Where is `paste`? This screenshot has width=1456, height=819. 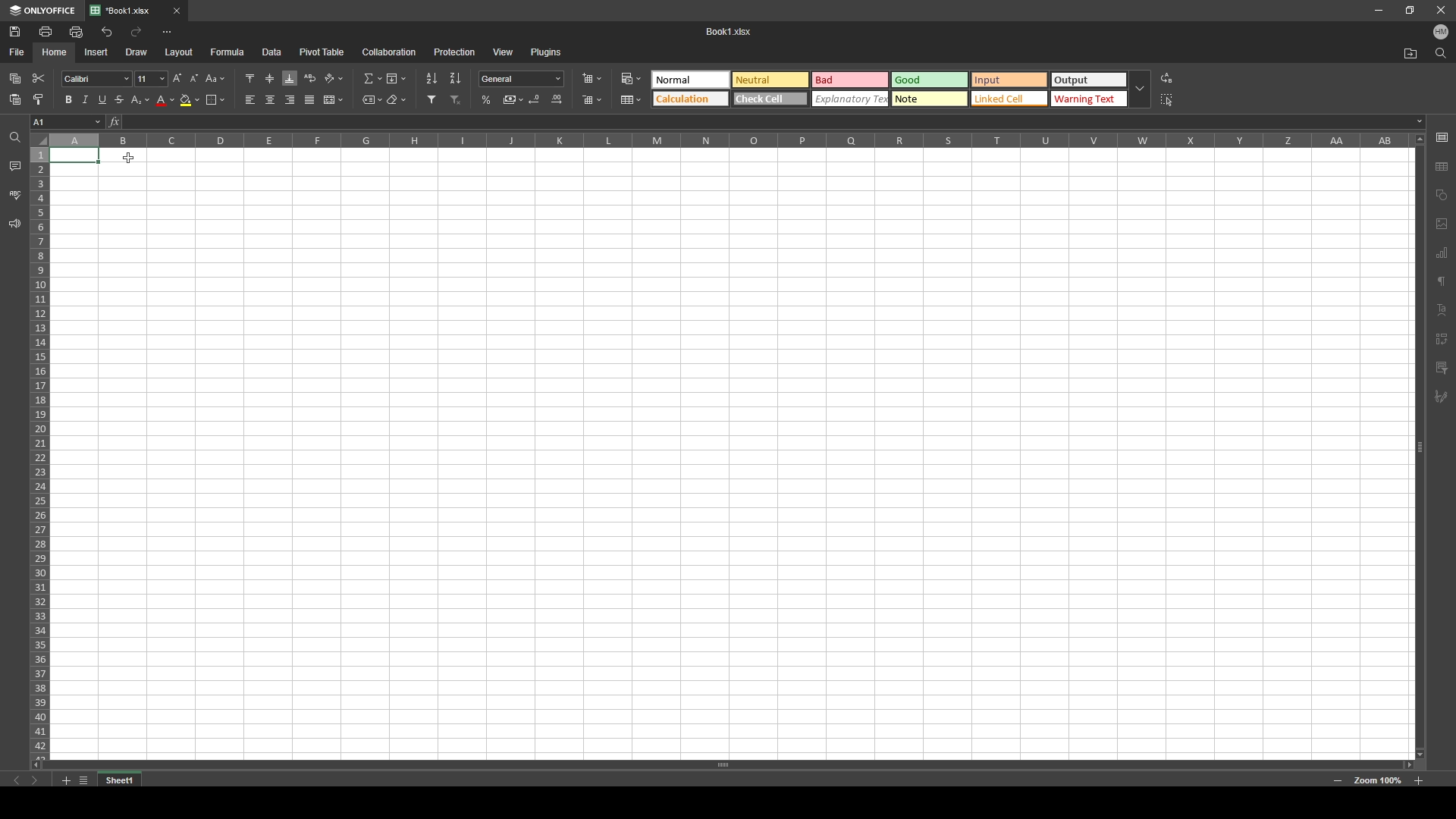 paste is located at coordinates (15, 79).